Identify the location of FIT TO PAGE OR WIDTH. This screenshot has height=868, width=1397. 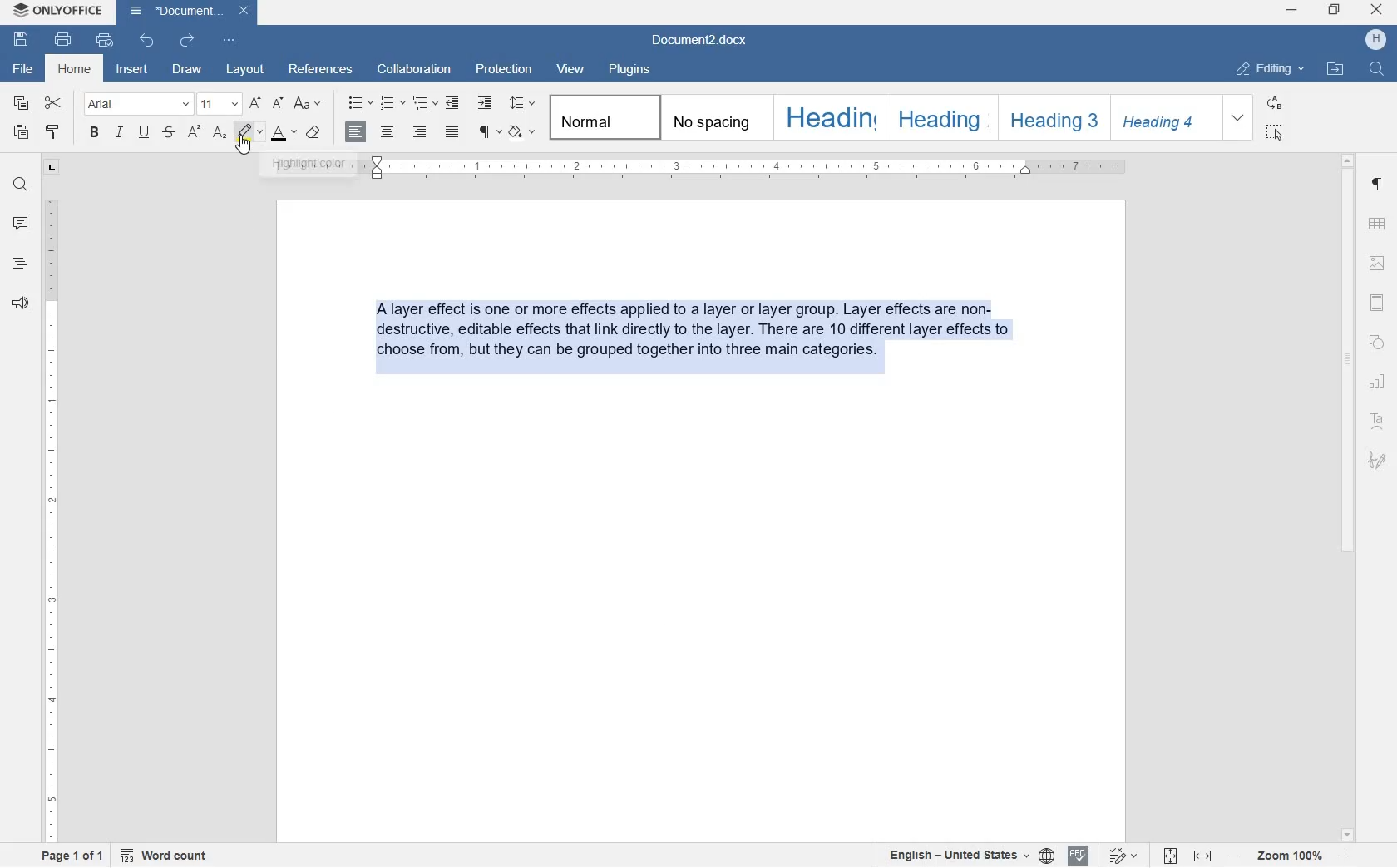
(1189, 857).